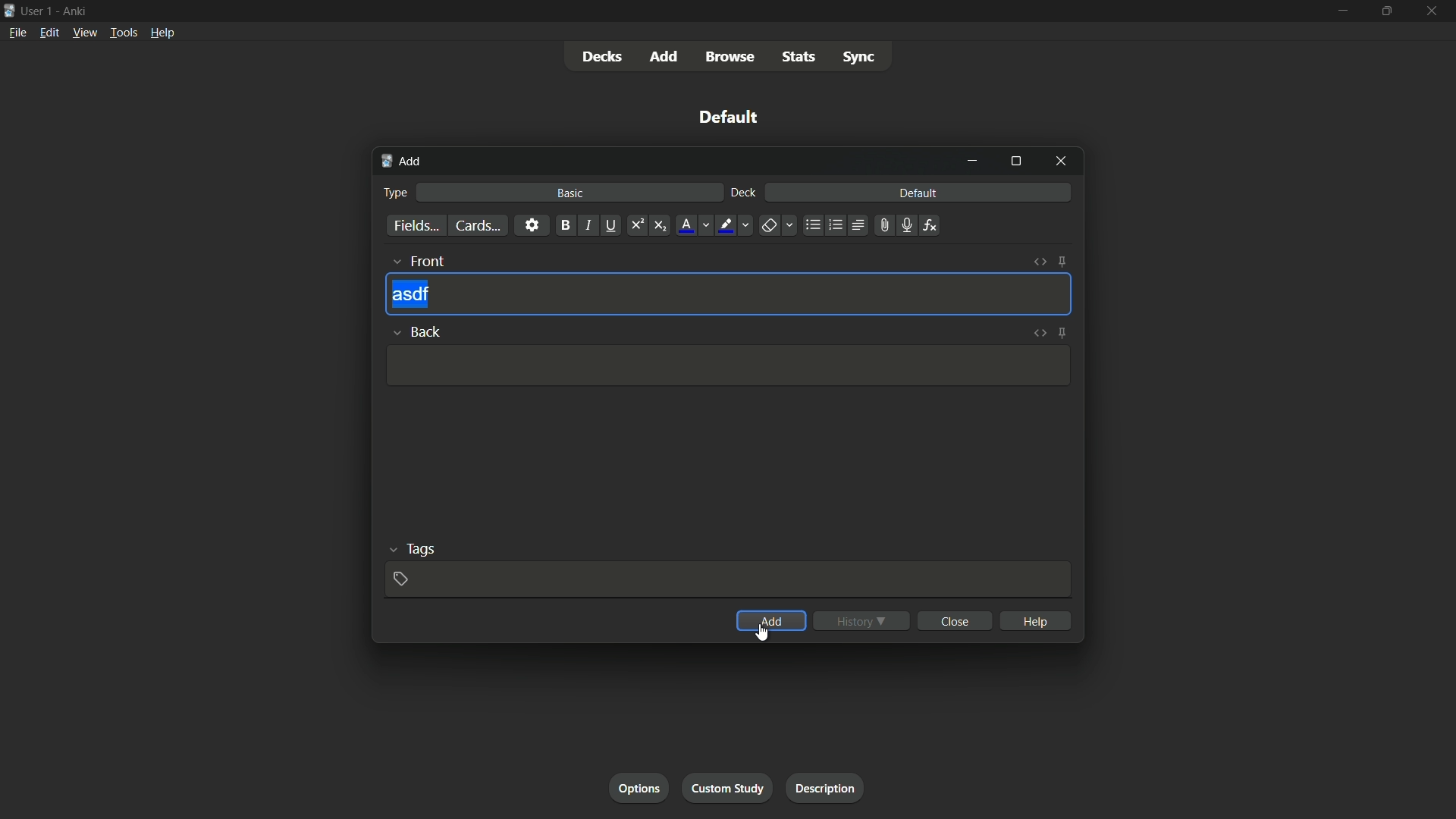 This screenshot has height=819, width=1456. What do you see at coordinates (571, 193) in the screenshot?
I see `basic` at bounding box center [571, 193].